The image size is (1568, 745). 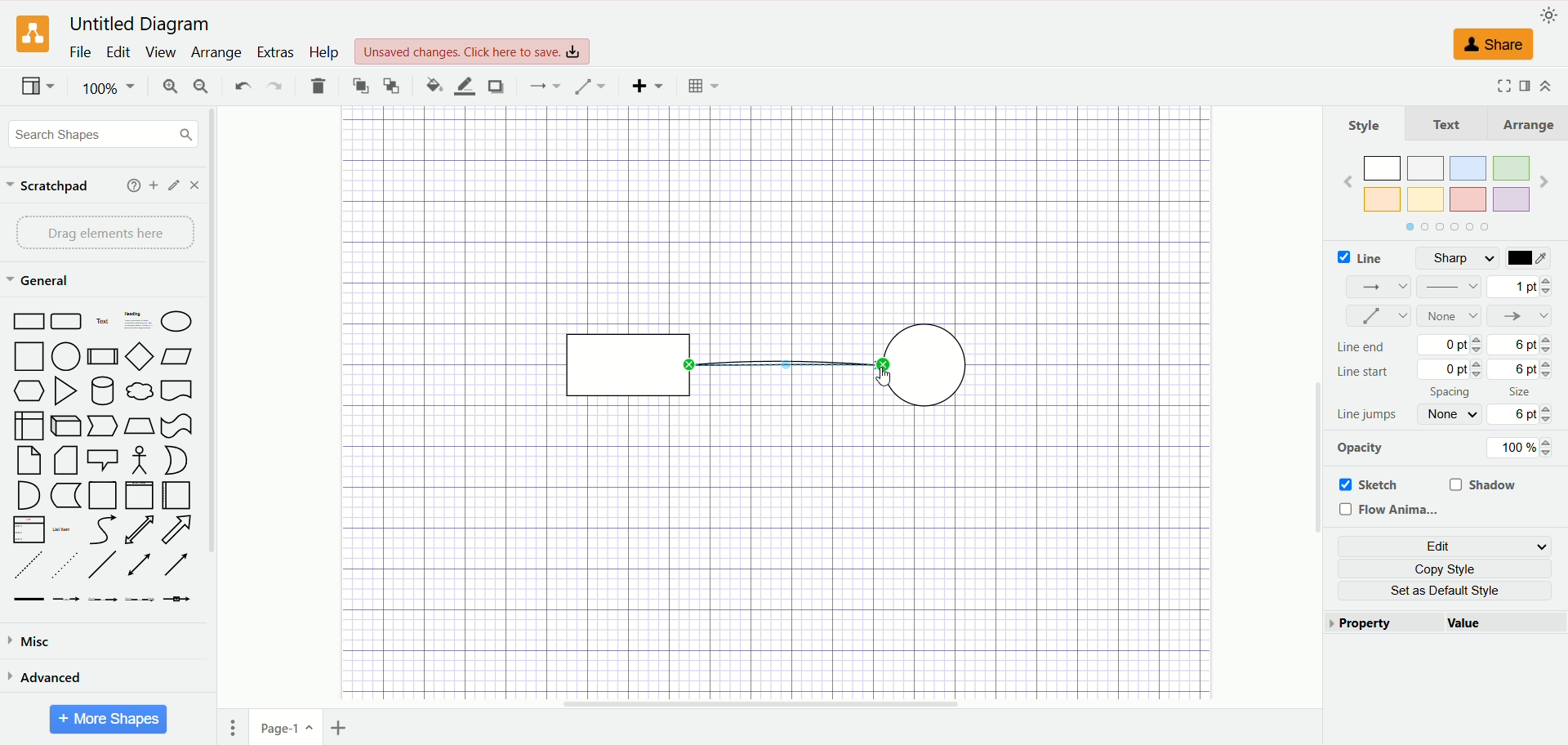 What do you see at coordinates (1486, 484) in the screenshot?
I see `shadow` at bounding box center [1486, 484].